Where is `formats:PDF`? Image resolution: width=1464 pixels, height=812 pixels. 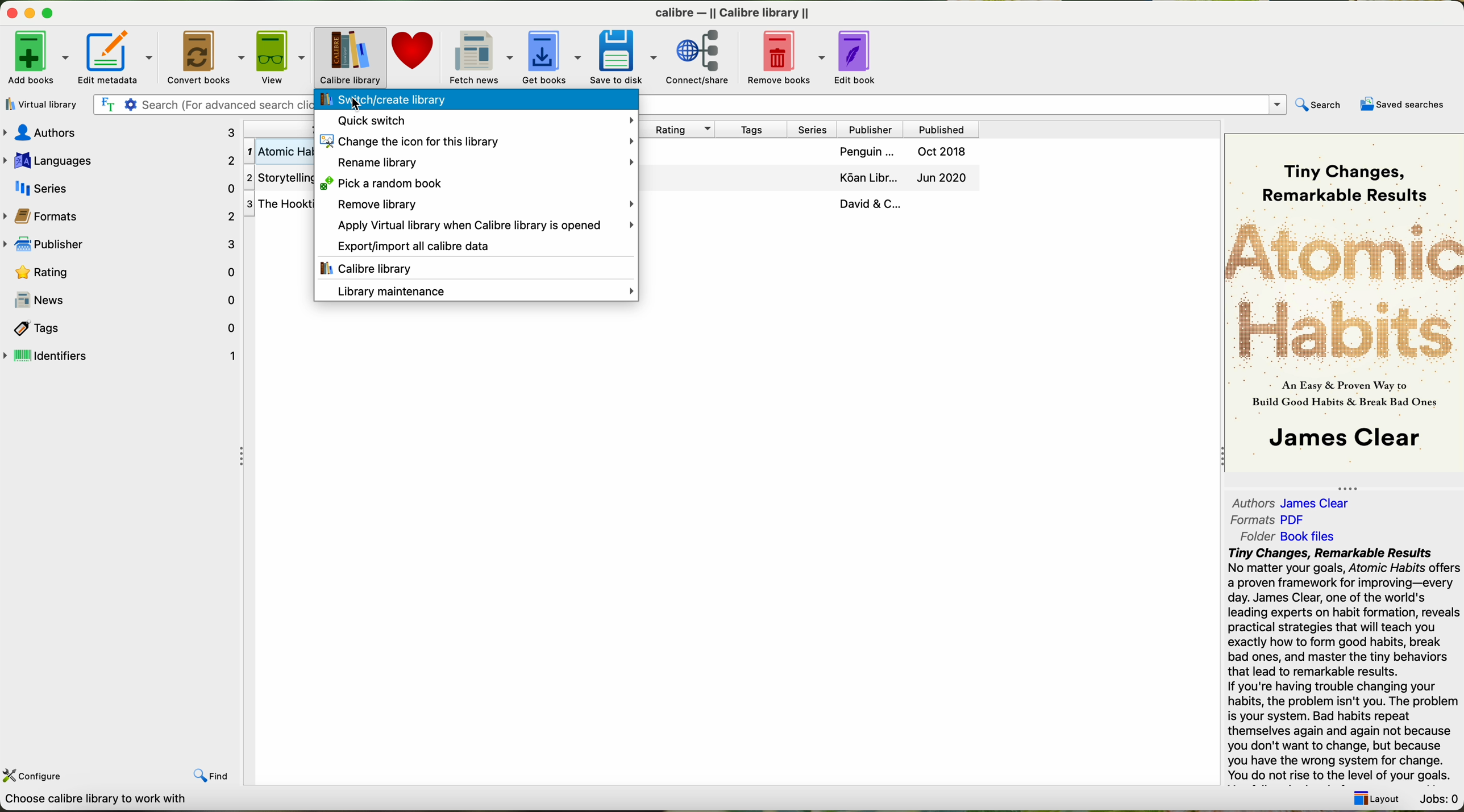
formats:PDF is located at coordinates (1272, 520).